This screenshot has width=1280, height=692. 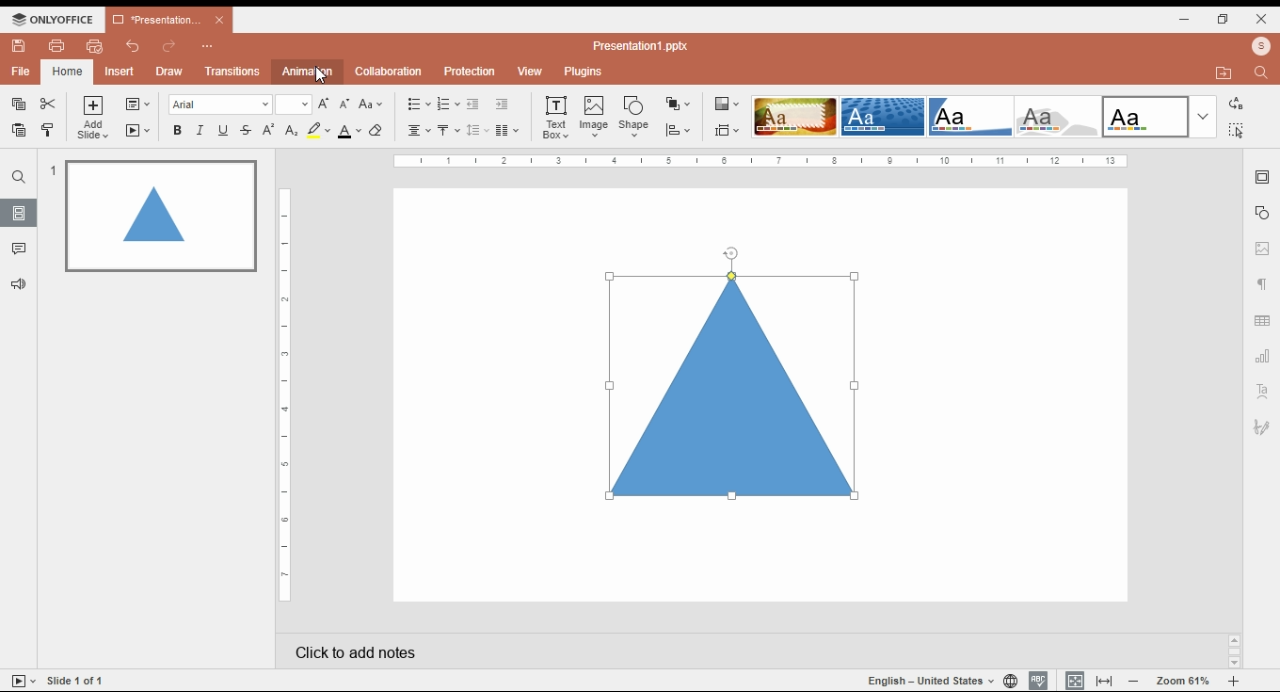 I want to click on color theme 3, so click(x=969, y=116).